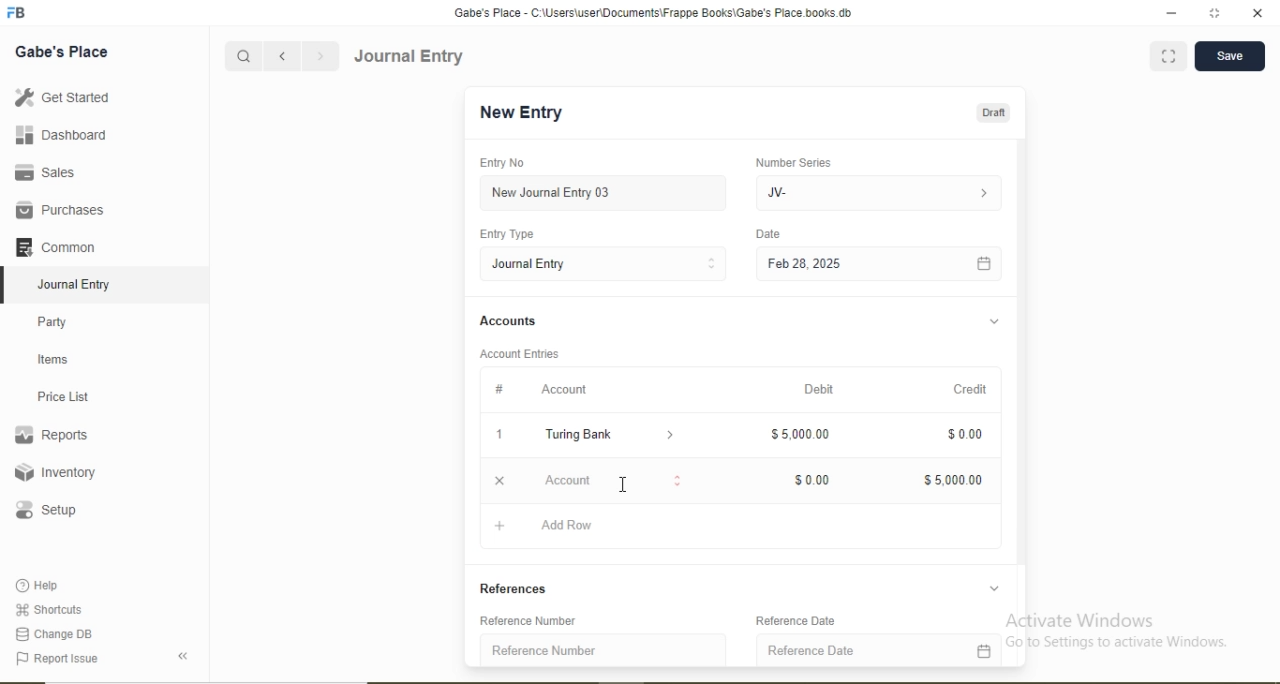 This screenshot has width=1280, height=684. What do you see at coordinates (62, 52) in the screenshot?
I see `Gabe's Place` at bounding box center [62, 52].